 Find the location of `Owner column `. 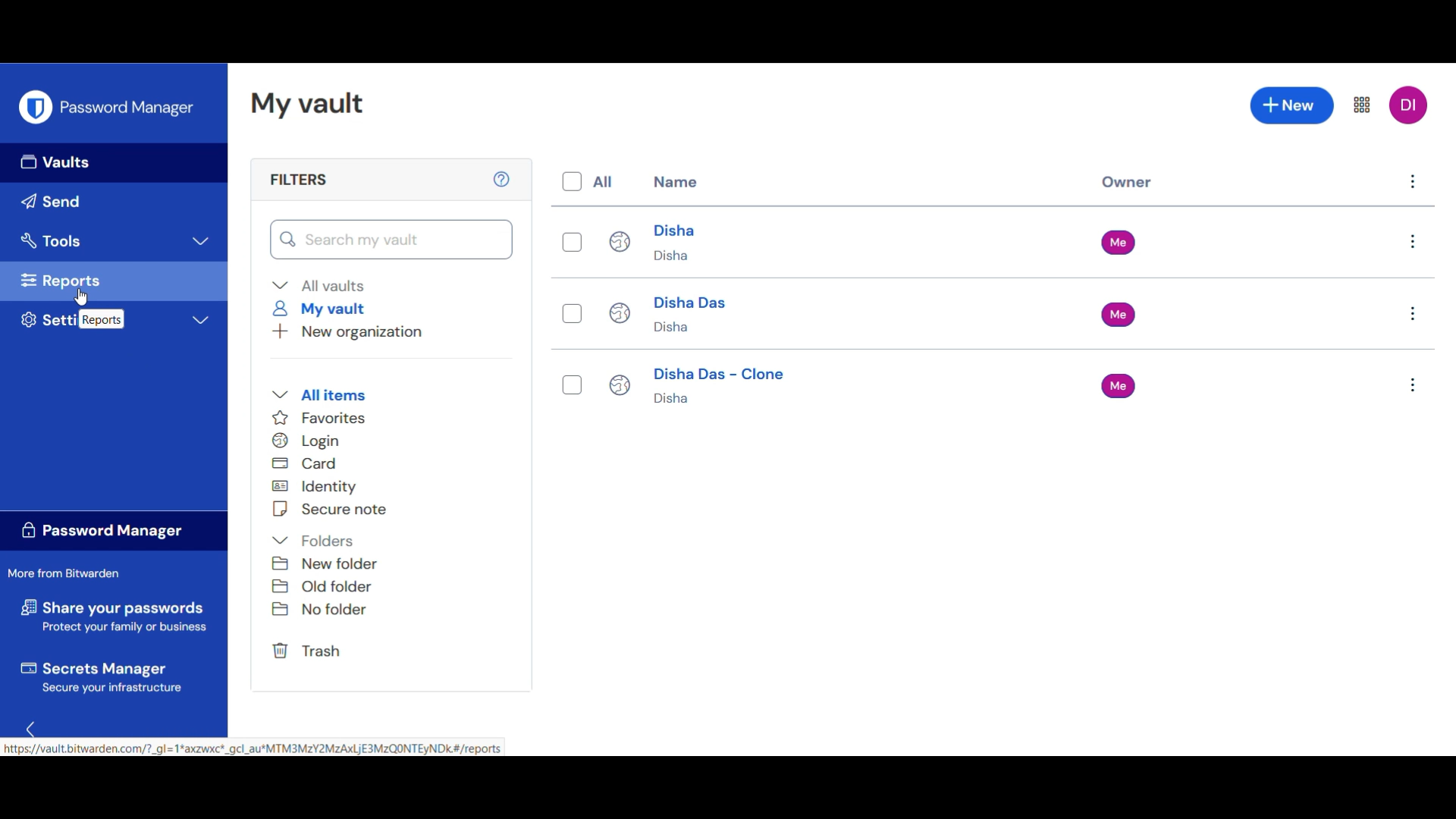

Owner column  is located at coordinates (1128, 184).